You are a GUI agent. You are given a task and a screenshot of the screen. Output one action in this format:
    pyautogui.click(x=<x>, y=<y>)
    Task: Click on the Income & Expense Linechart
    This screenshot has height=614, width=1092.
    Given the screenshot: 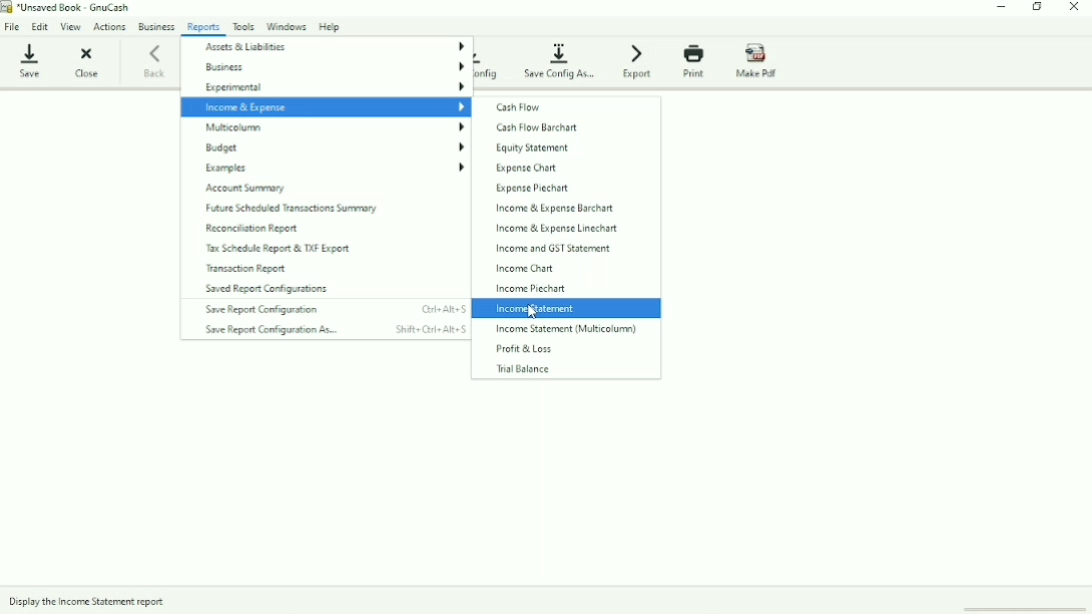 What is the action you would take?
    pyautogui.click(x=555, y=228)
    